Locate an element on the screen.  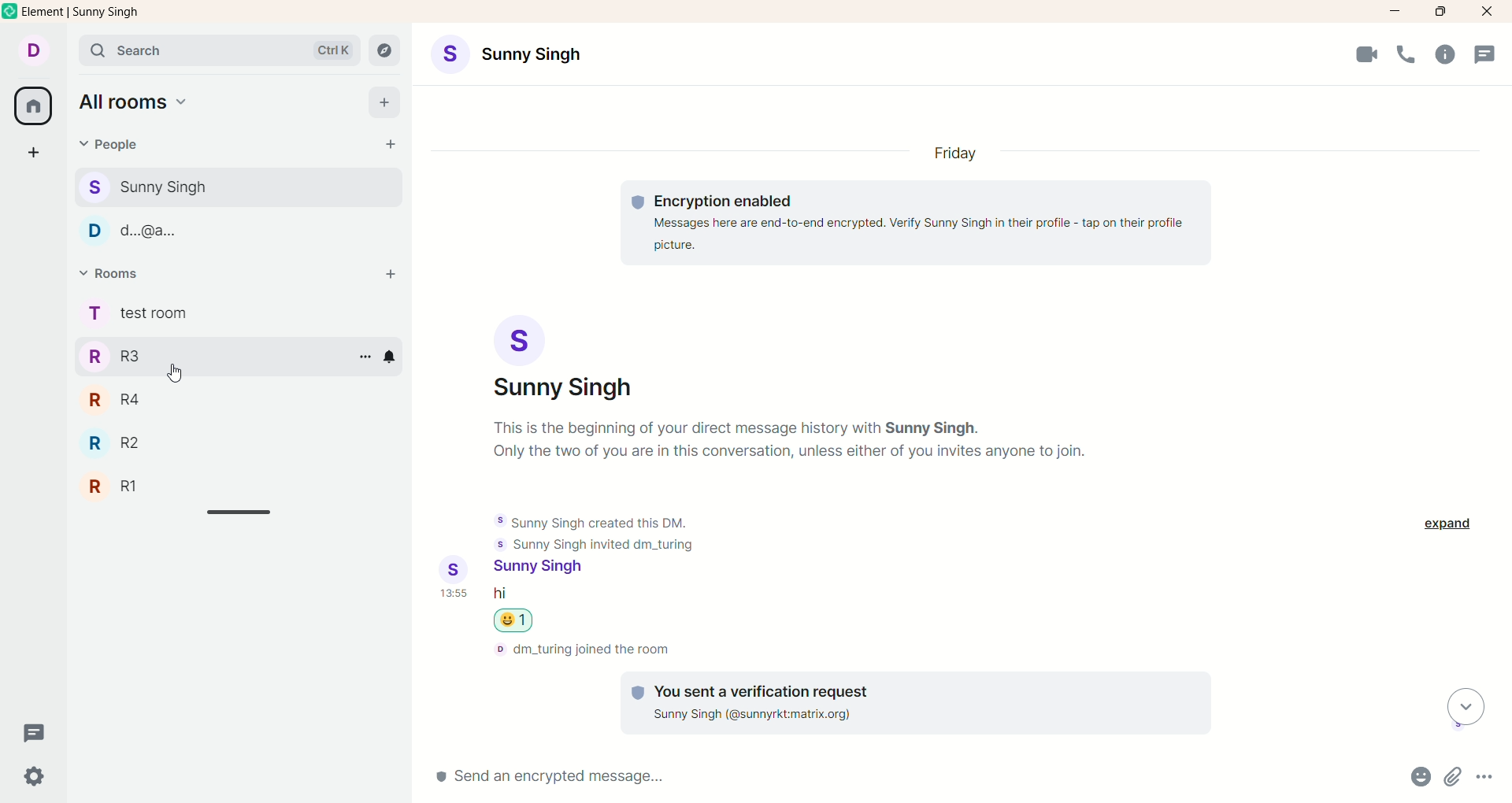
maximize is located at coordinates (1438, 12).